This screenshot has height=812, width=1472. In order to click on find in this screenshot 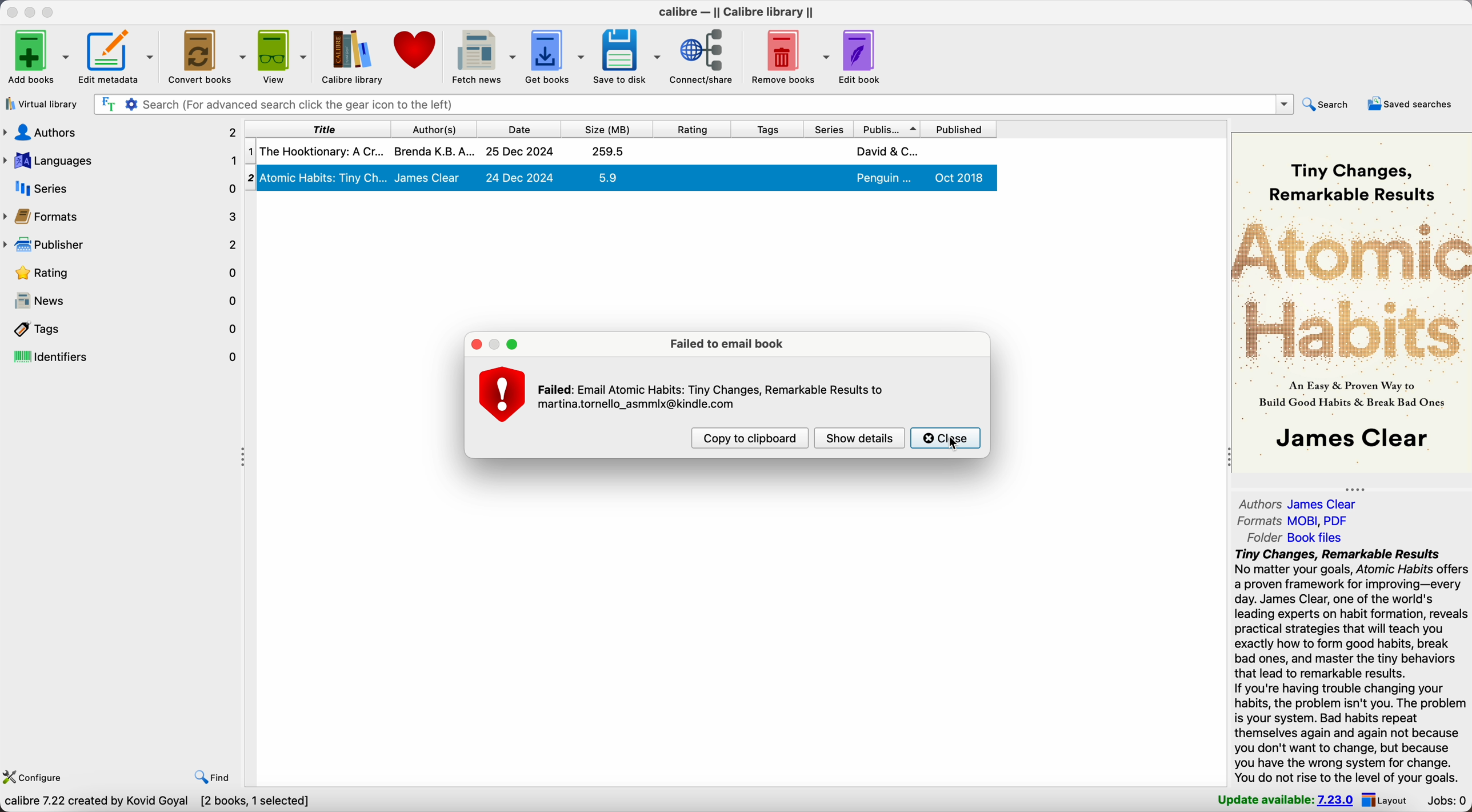, I will do `click(211, 778)`.